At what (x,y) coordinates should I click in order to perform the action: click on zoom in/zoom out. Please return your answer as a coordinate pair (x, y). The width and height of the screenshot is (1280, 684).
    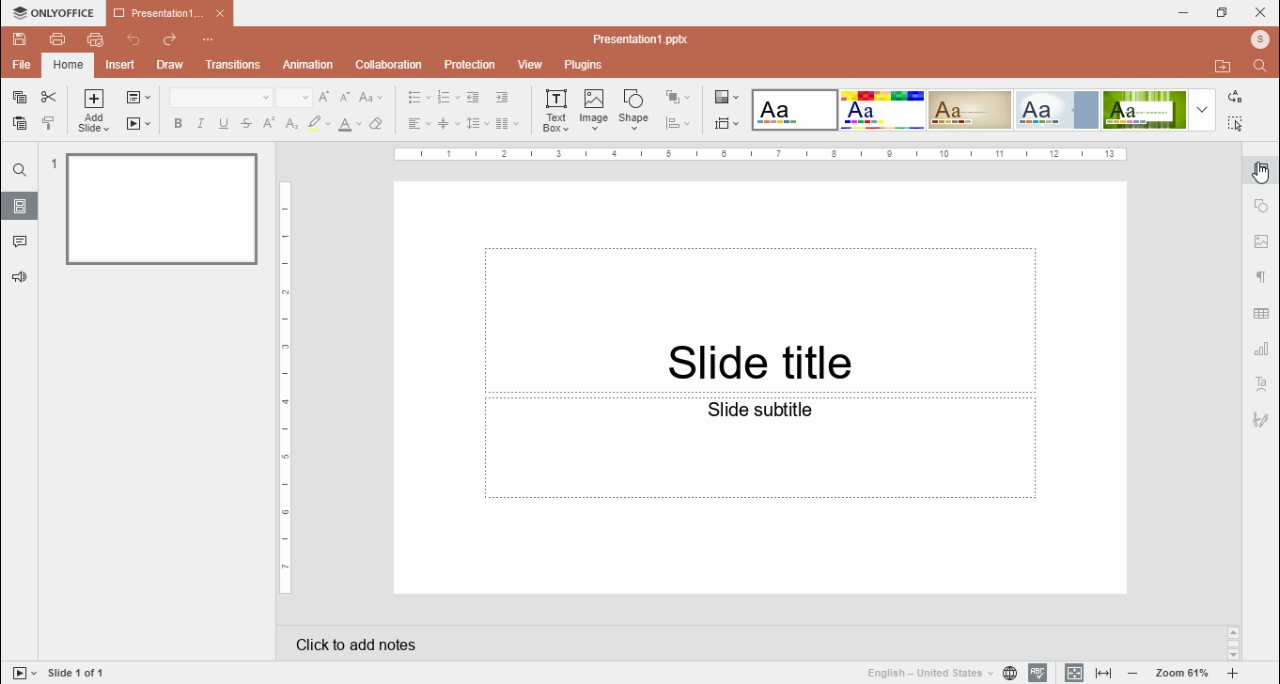
    Looking at the image, I should click on (1182, 674).